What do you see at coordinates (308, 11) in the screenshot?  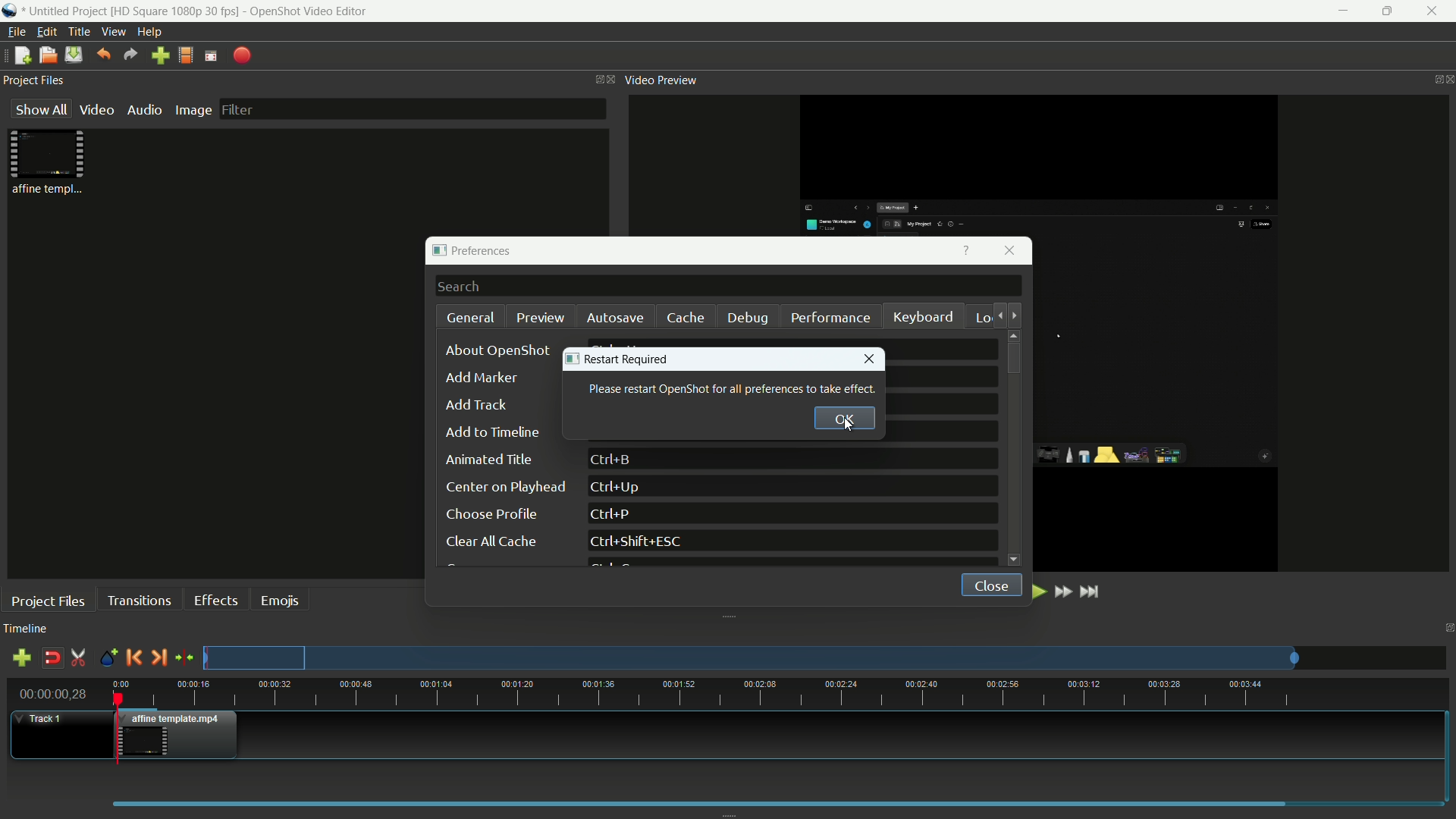 I see `app name` at bounding box center [308, 11].